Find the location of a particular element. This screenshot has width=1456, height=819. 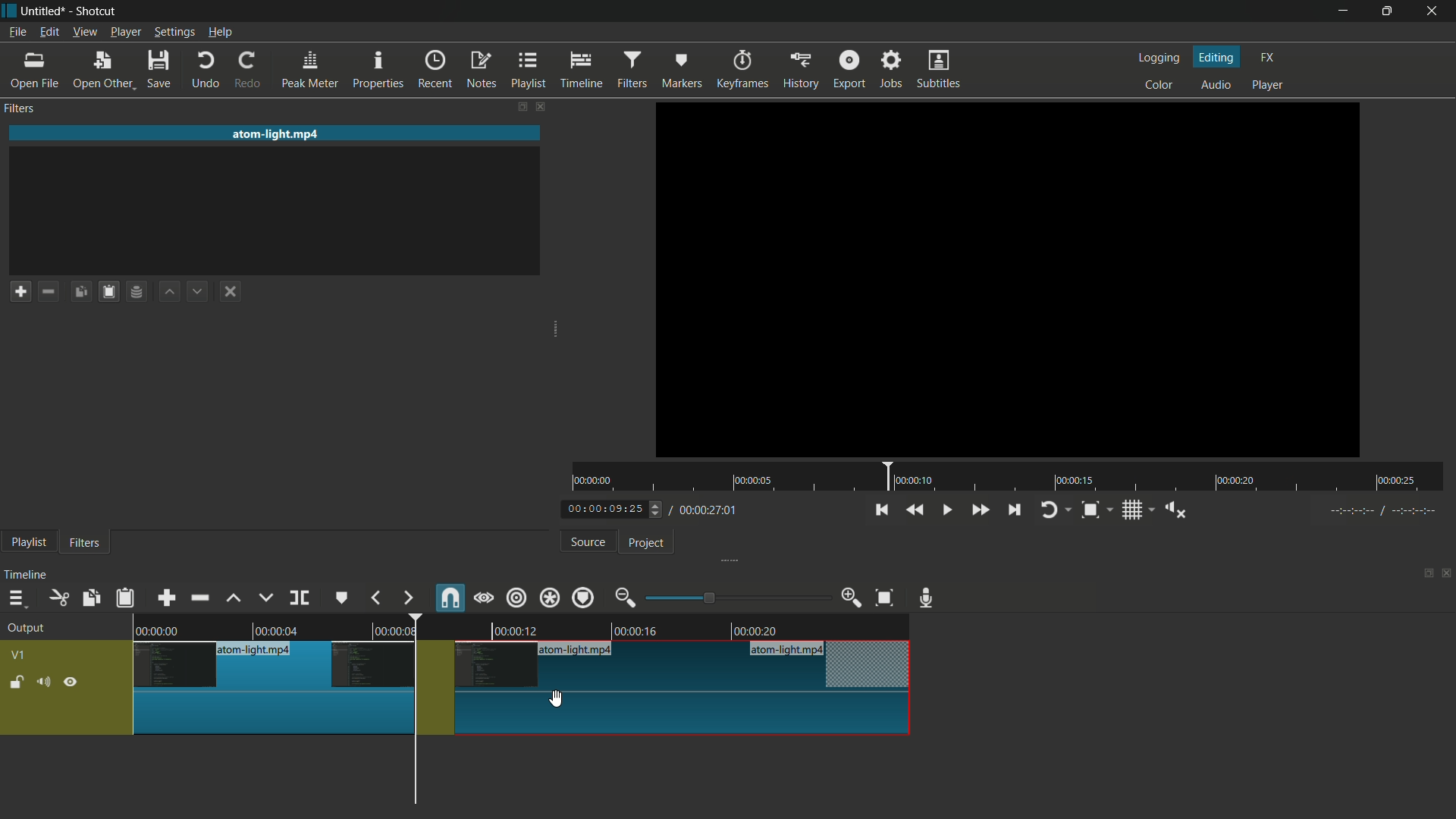

ripple markers is located at coordinates (585, 597).